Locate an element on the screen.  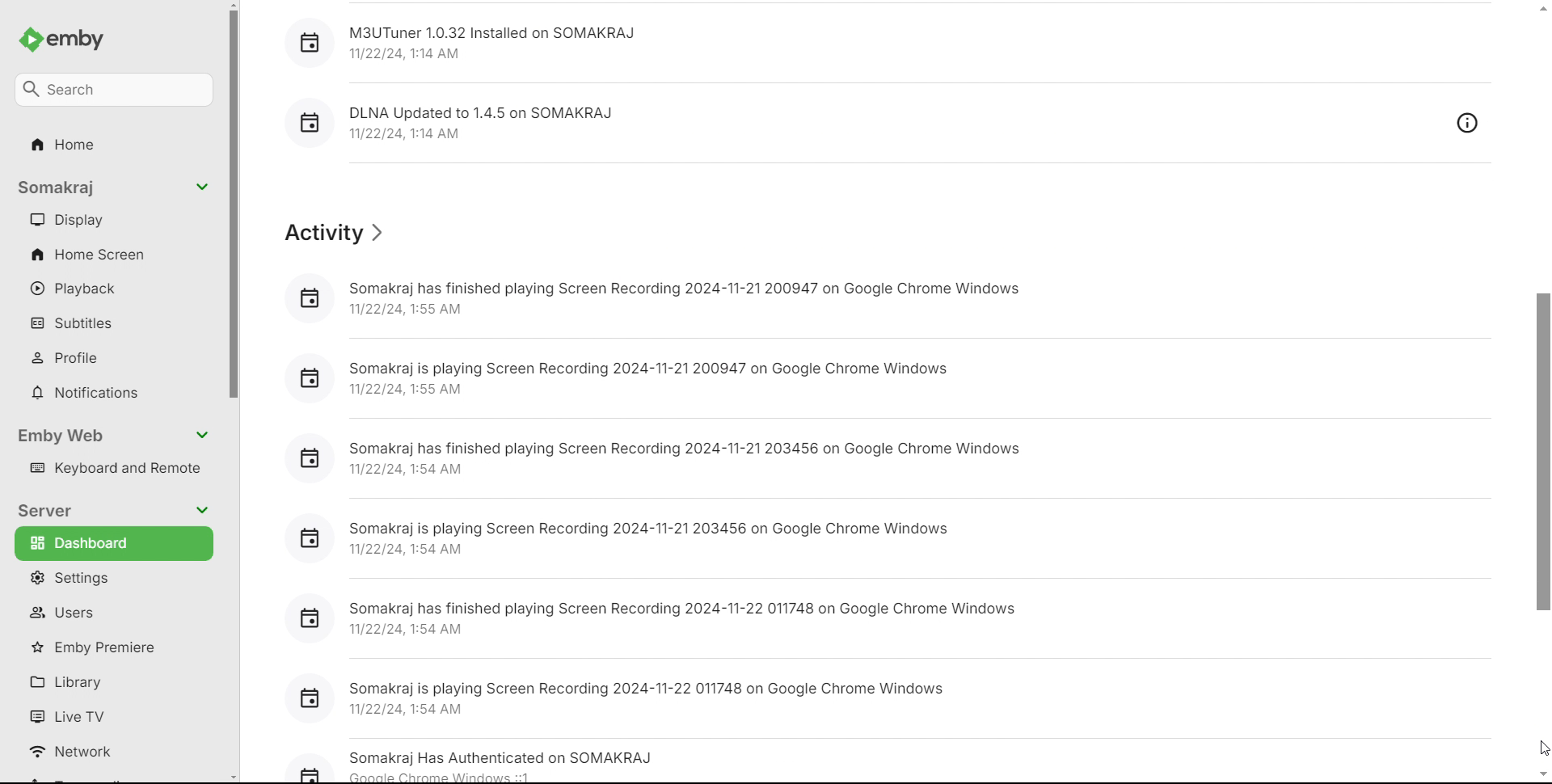
profile is located at coordinates (113, 355).